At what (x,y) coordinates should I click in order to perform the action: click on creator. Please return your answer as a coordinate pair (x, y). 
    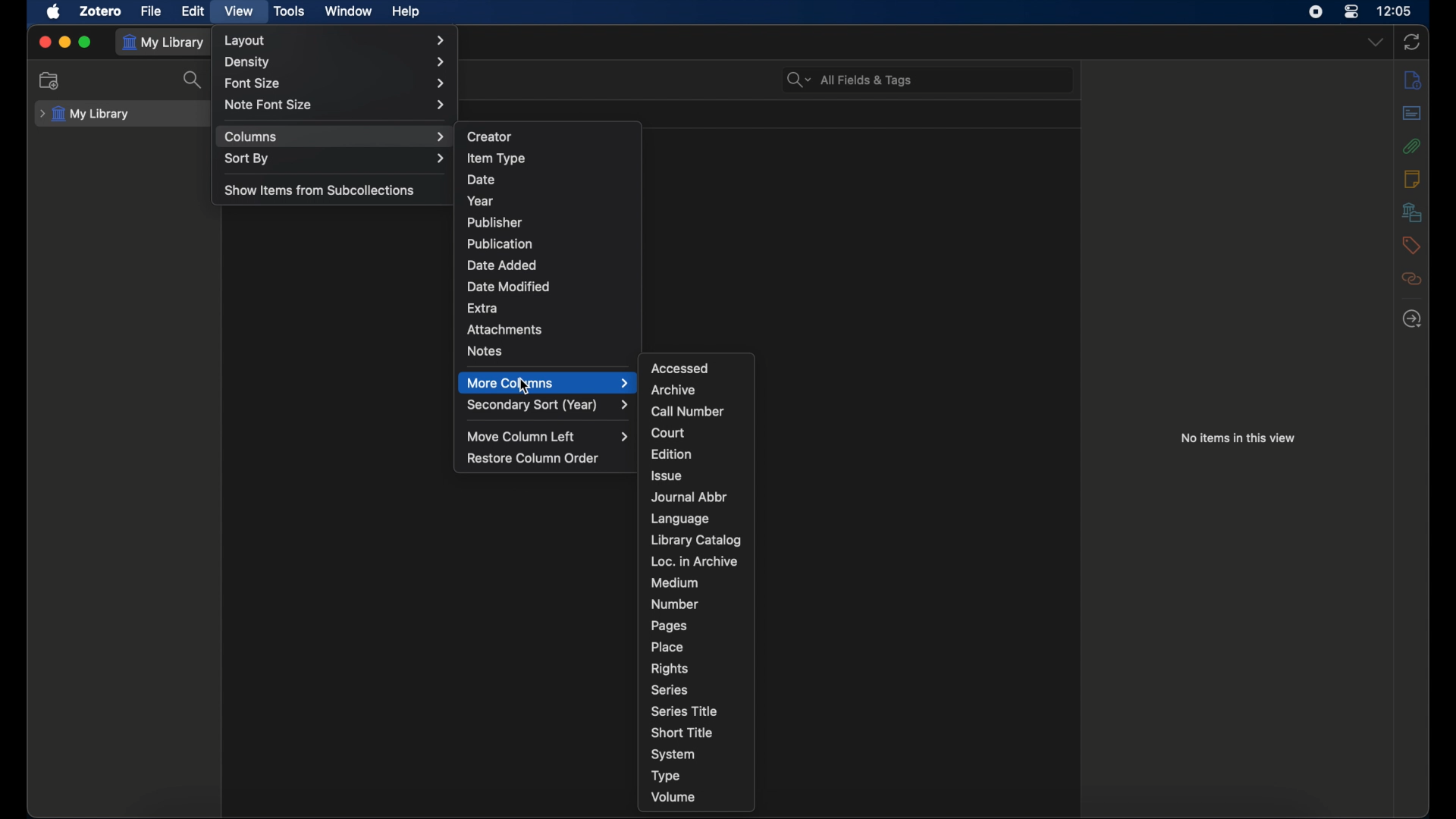
    Looking at the image, I should click on (491, 136).